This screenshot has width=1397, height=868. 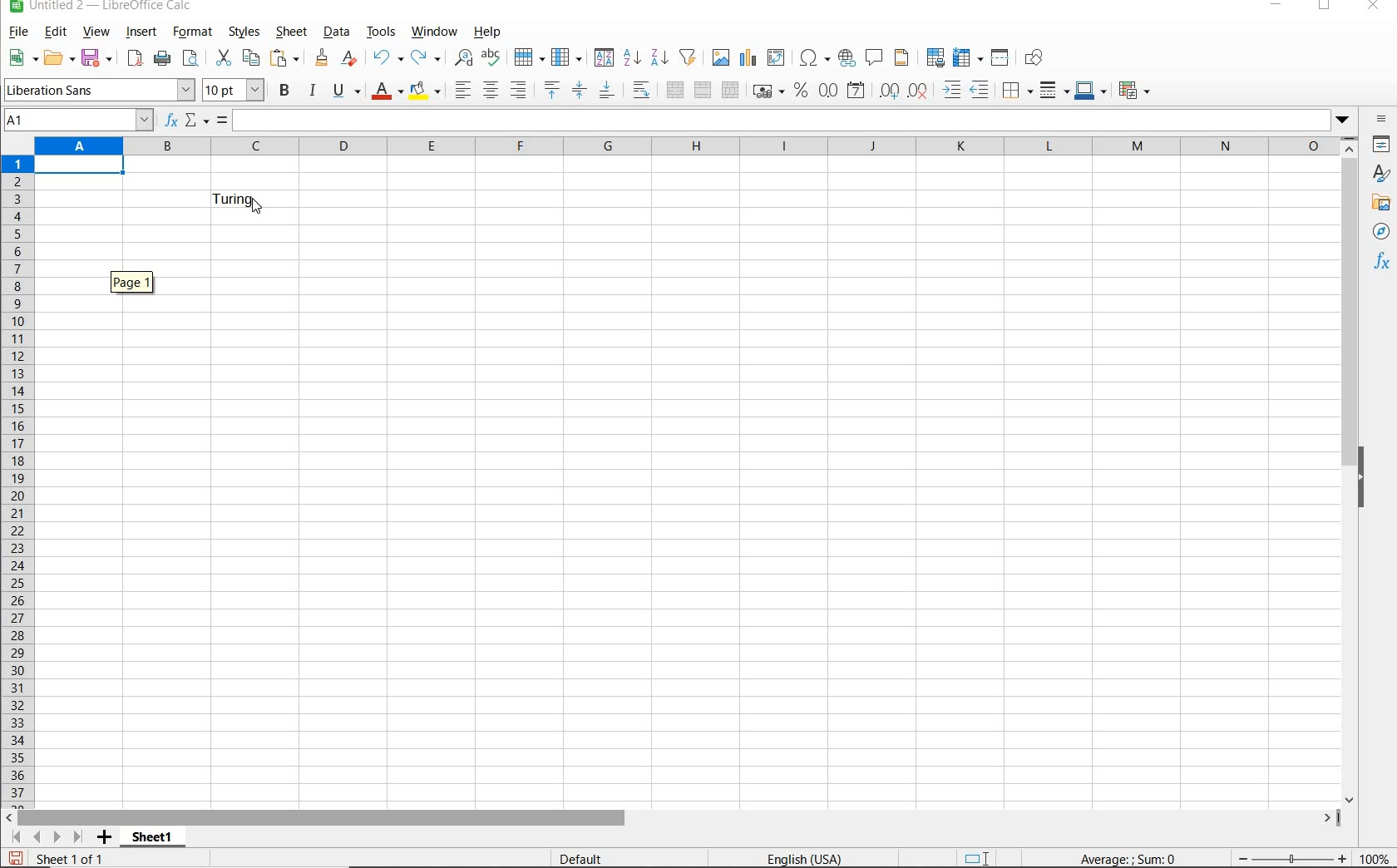 What do you see at coordinates (312, 90) in the screenshot?
I see `ITALIC` at bounding box center [312, 90].